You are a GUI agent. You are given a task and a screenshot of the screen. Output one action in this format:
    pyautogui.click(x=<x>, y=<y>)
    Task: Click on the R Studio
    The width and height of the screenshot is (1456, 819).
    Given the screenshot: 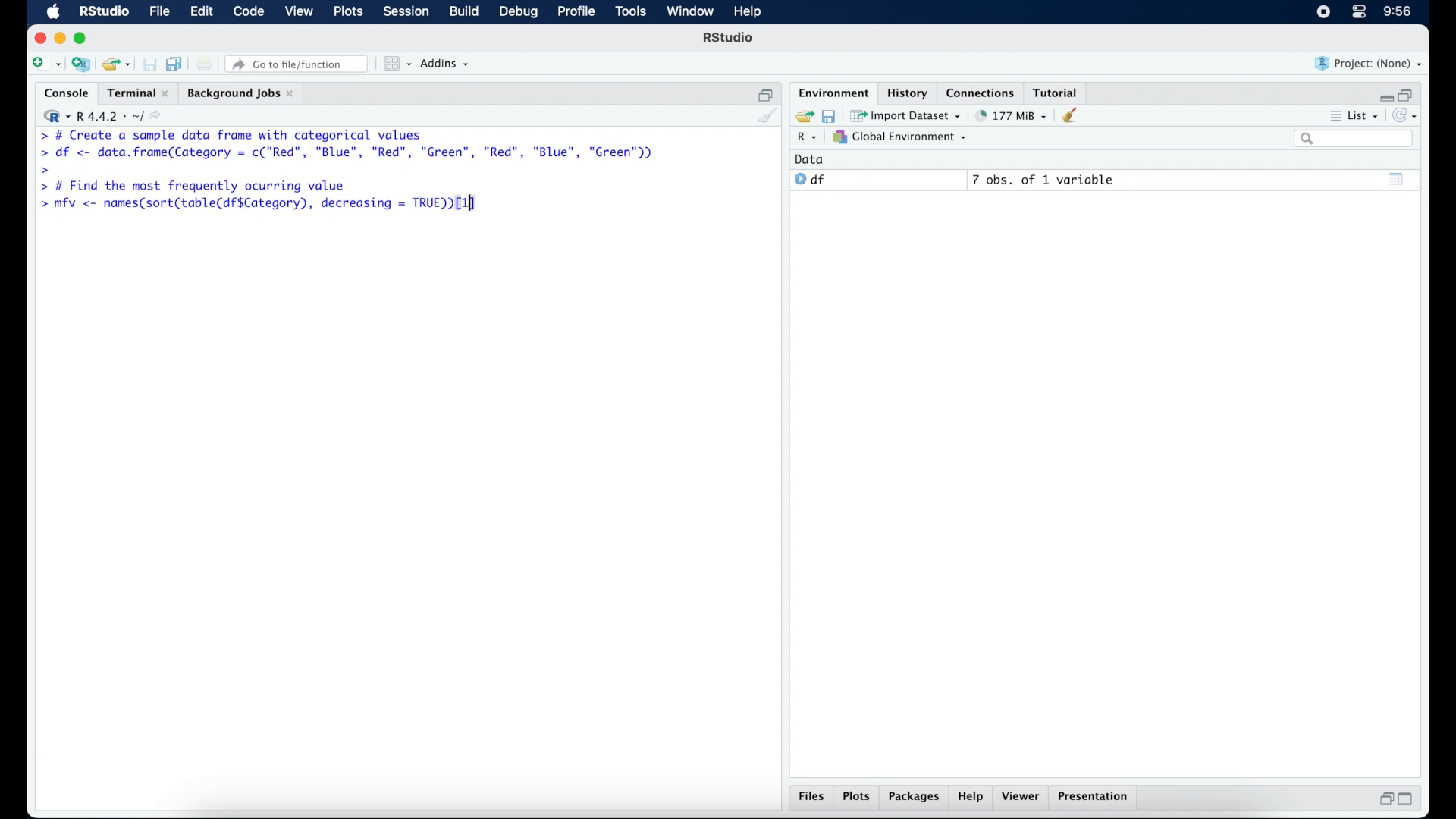 What is the action you would take?
    pyautogui.click(x=730, y=38)
    